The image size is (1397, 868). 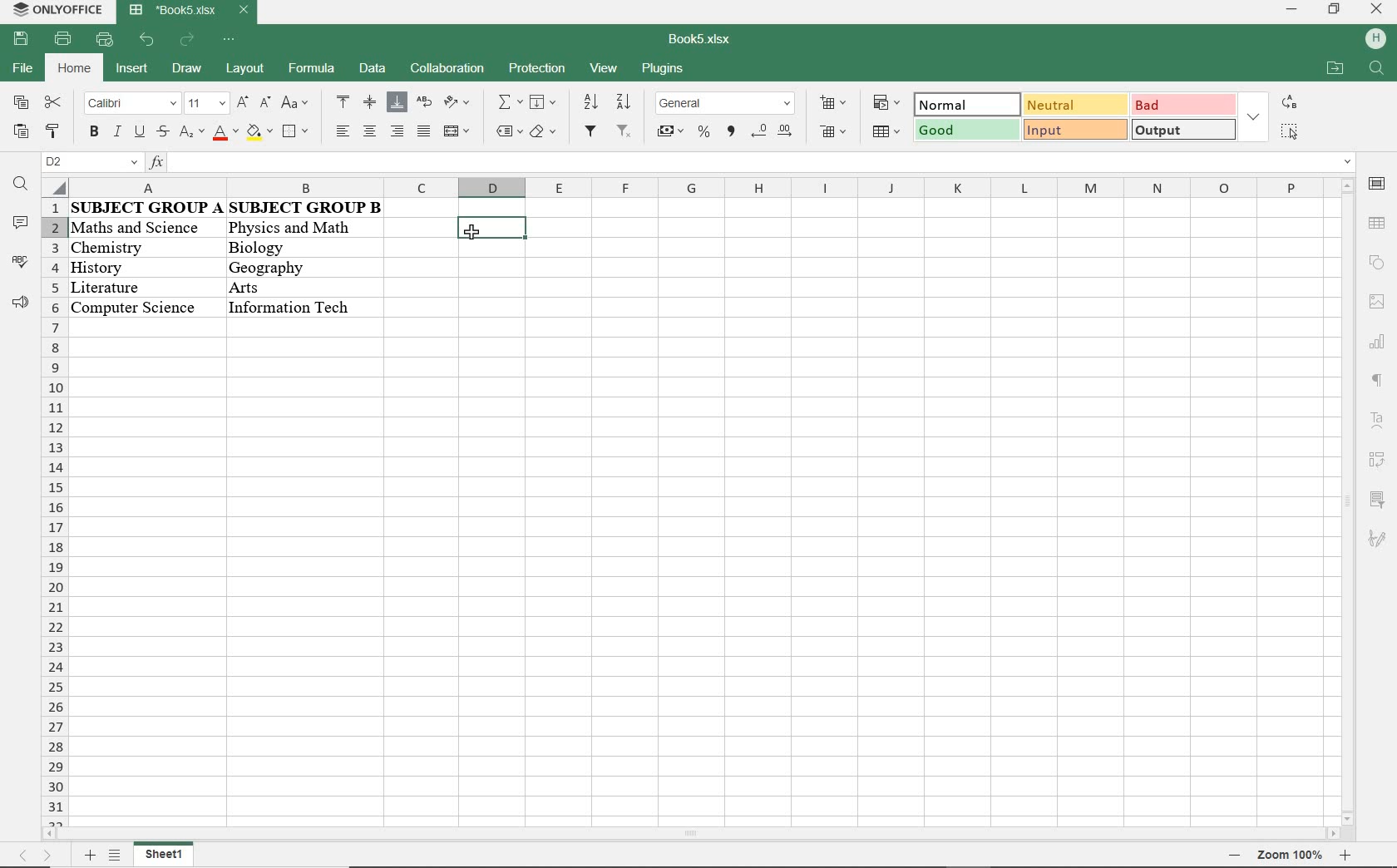 What do you see at coordinates (751, 163) in the screenshot?
I see `insert function` at bounding box center [751, 163].